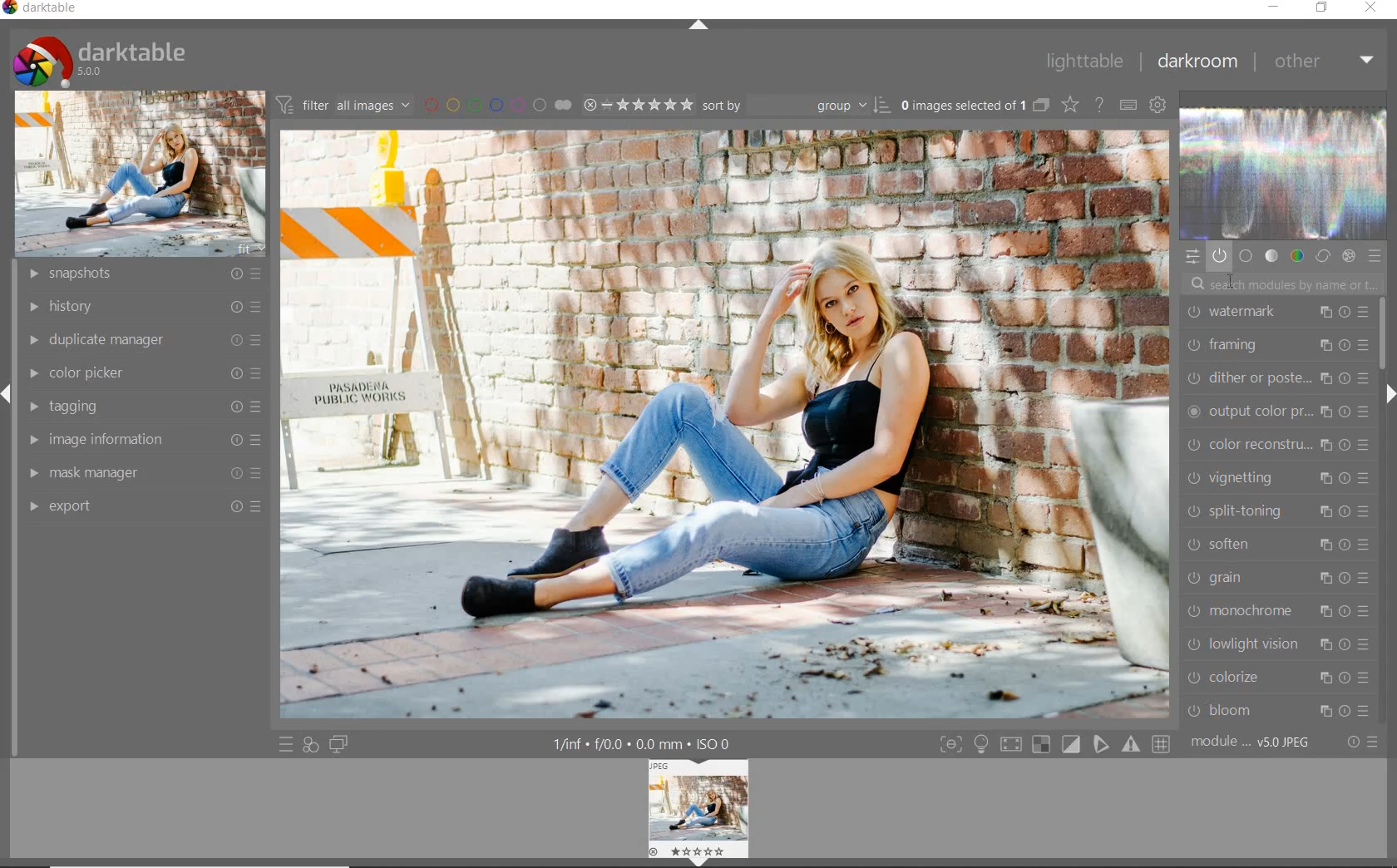  I want to click on dither or paste, so click(1274, 381).